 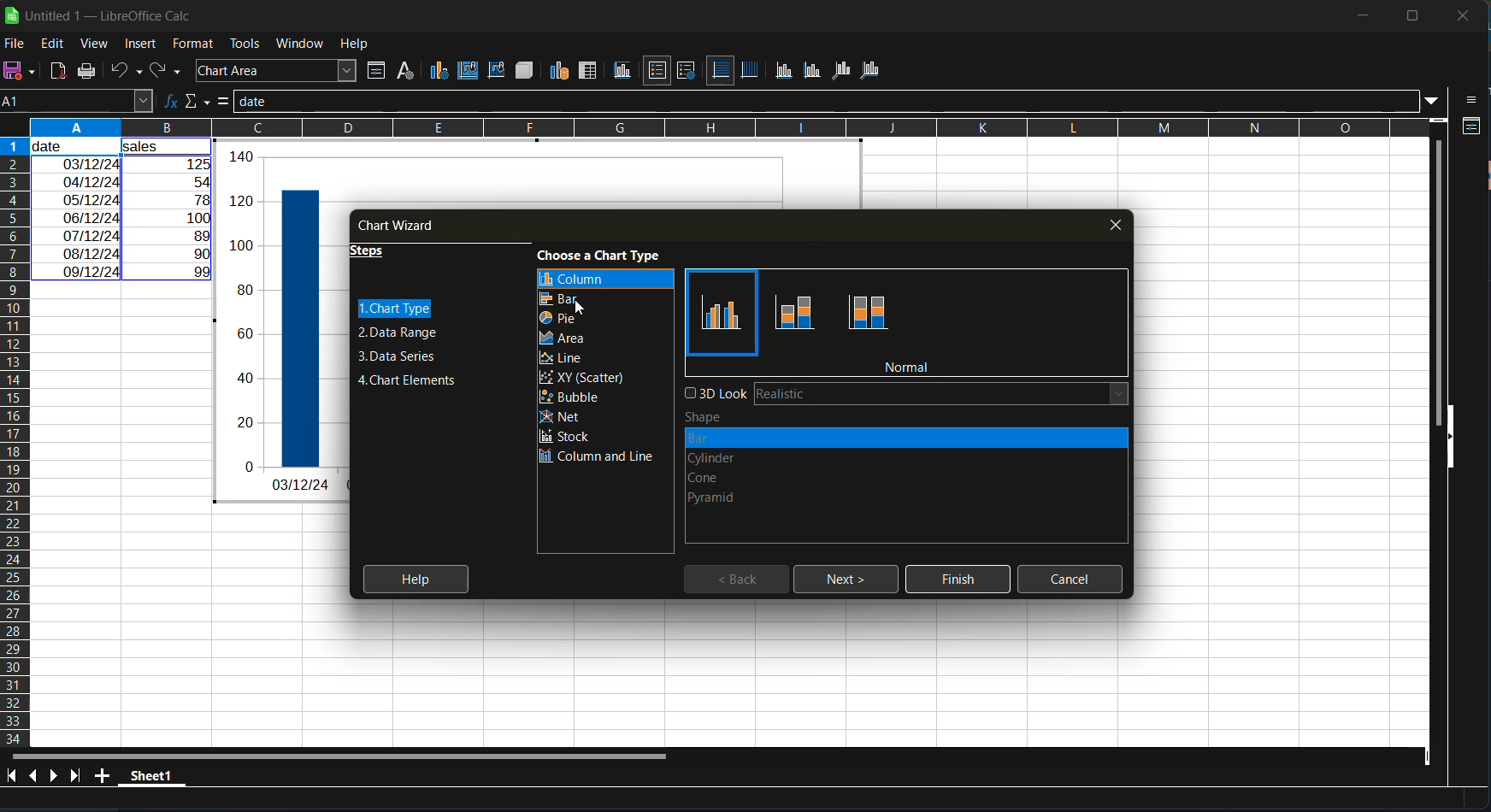 What do you see at coordinates (790, 255) in the screenshot?
I see `bold` at bounding box center [790, 255].